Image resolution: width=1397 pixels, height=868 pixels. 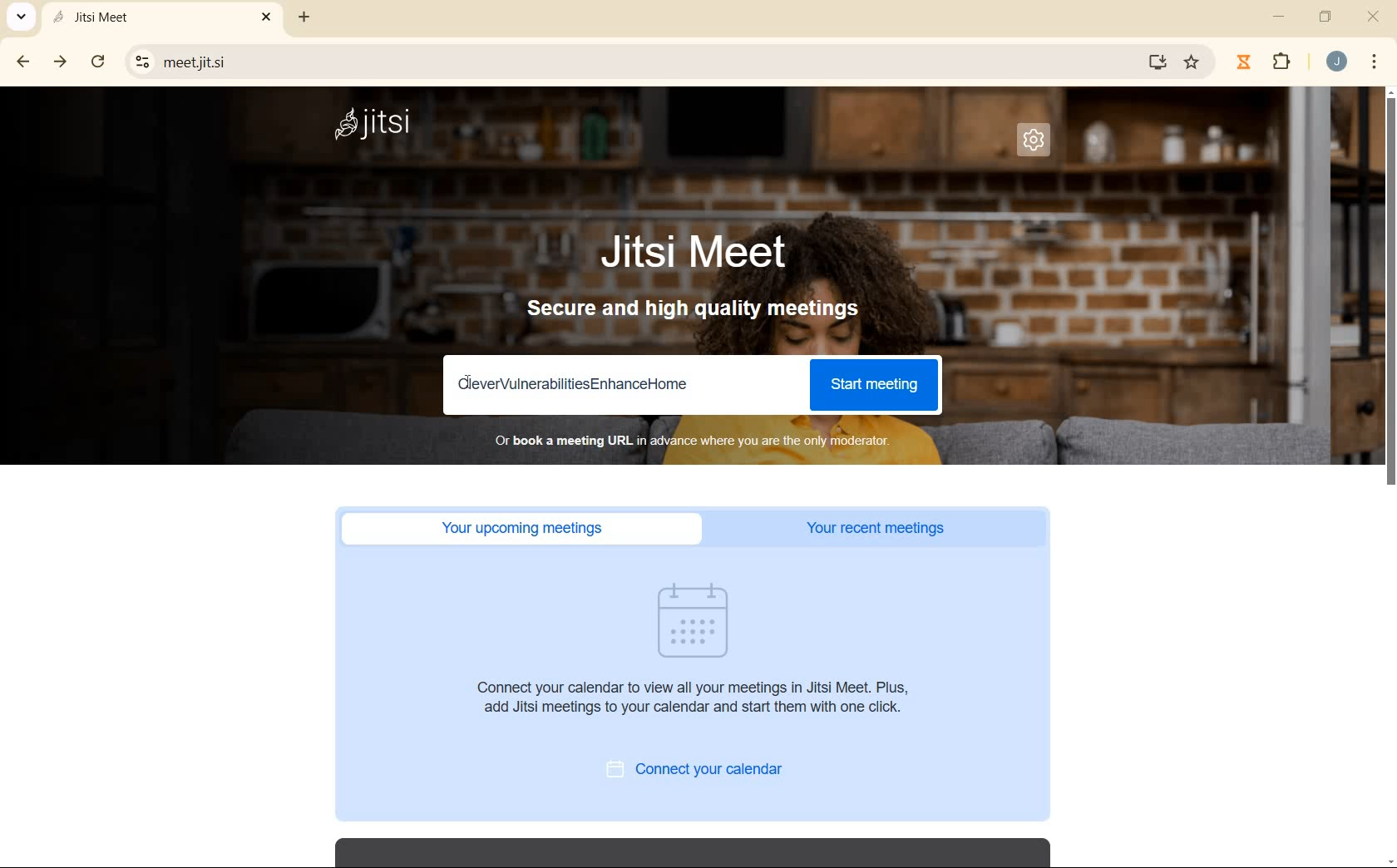 What do you see at coordinates (1156, 62) in the screenshot?
I see `Download` at bounding box center [1156, 62].